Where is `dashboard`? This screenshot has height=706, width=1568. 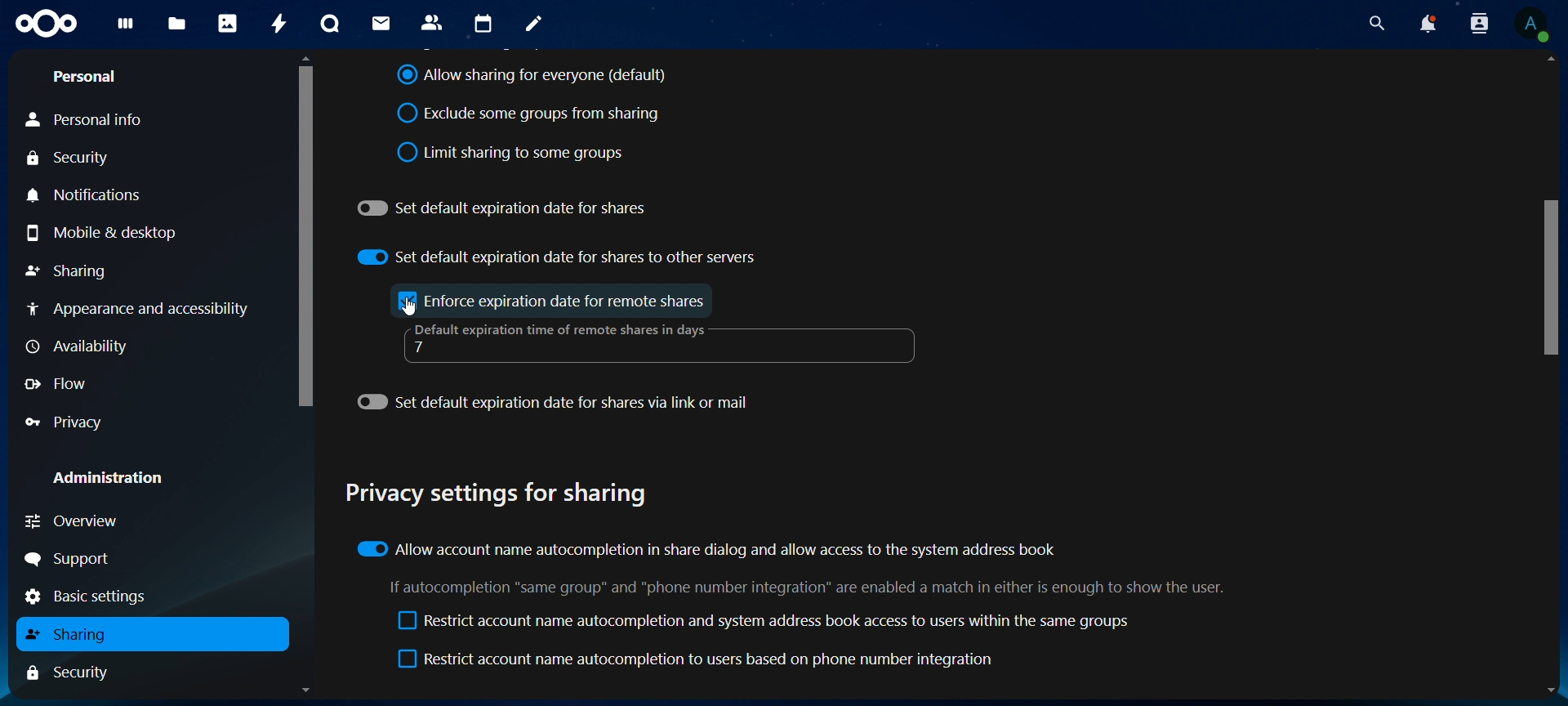 dashboard is located at coordinates (123, 29).